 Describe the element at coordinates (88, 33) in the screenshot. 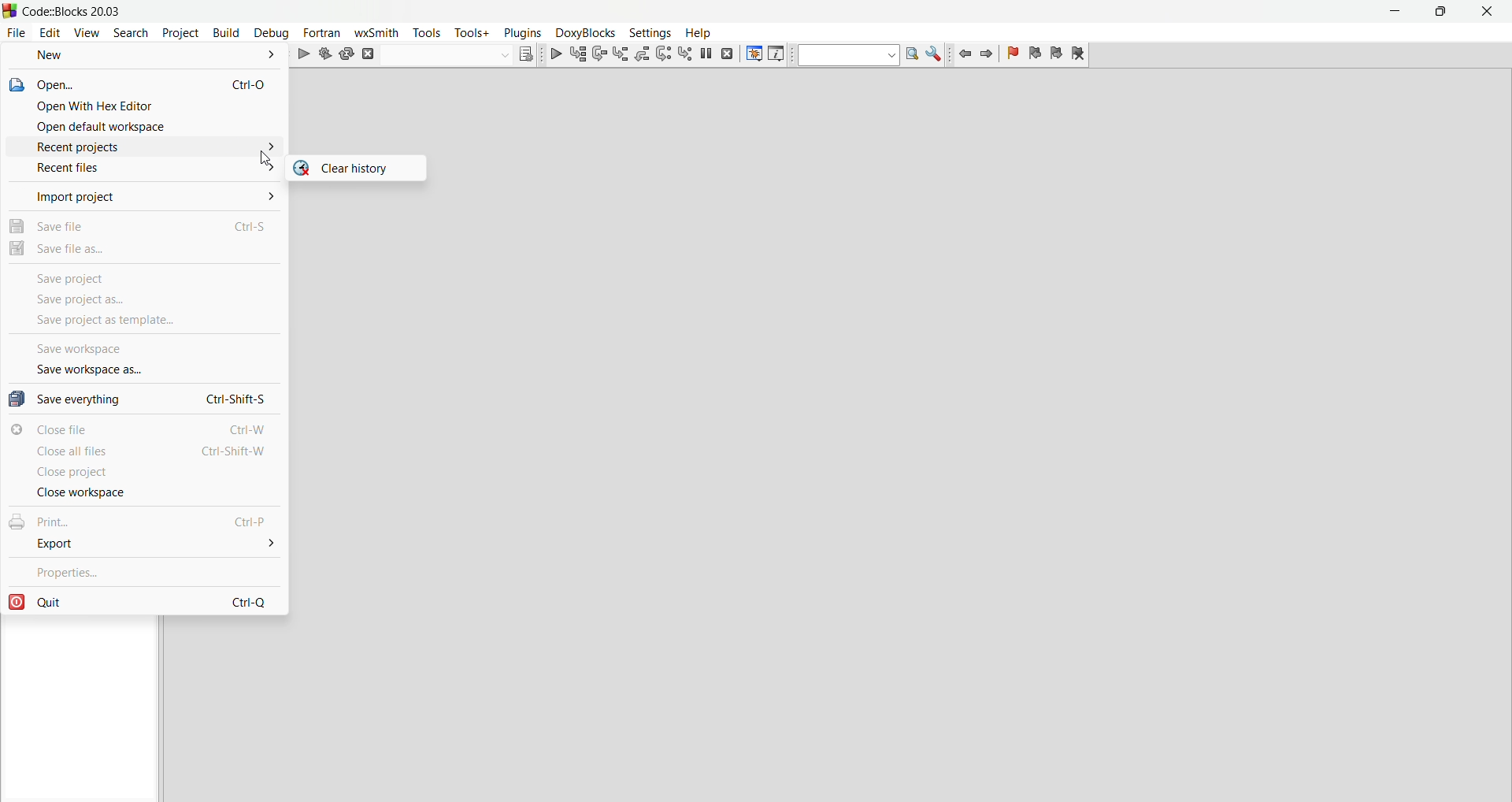

I see `view` at that location.